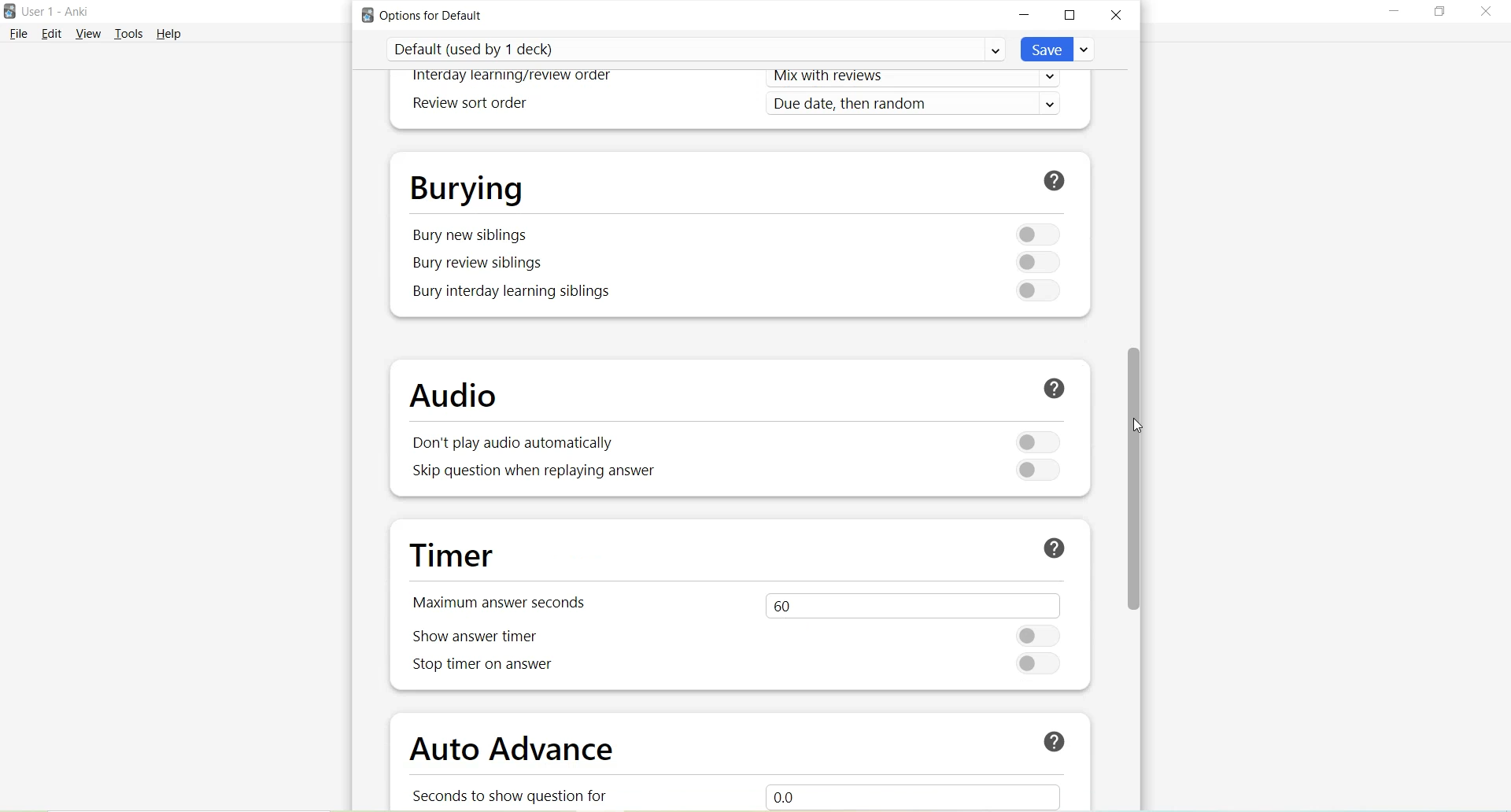 This screenshot has height=812, width=1511. I want to click on Toggle, so click(1036, 468).